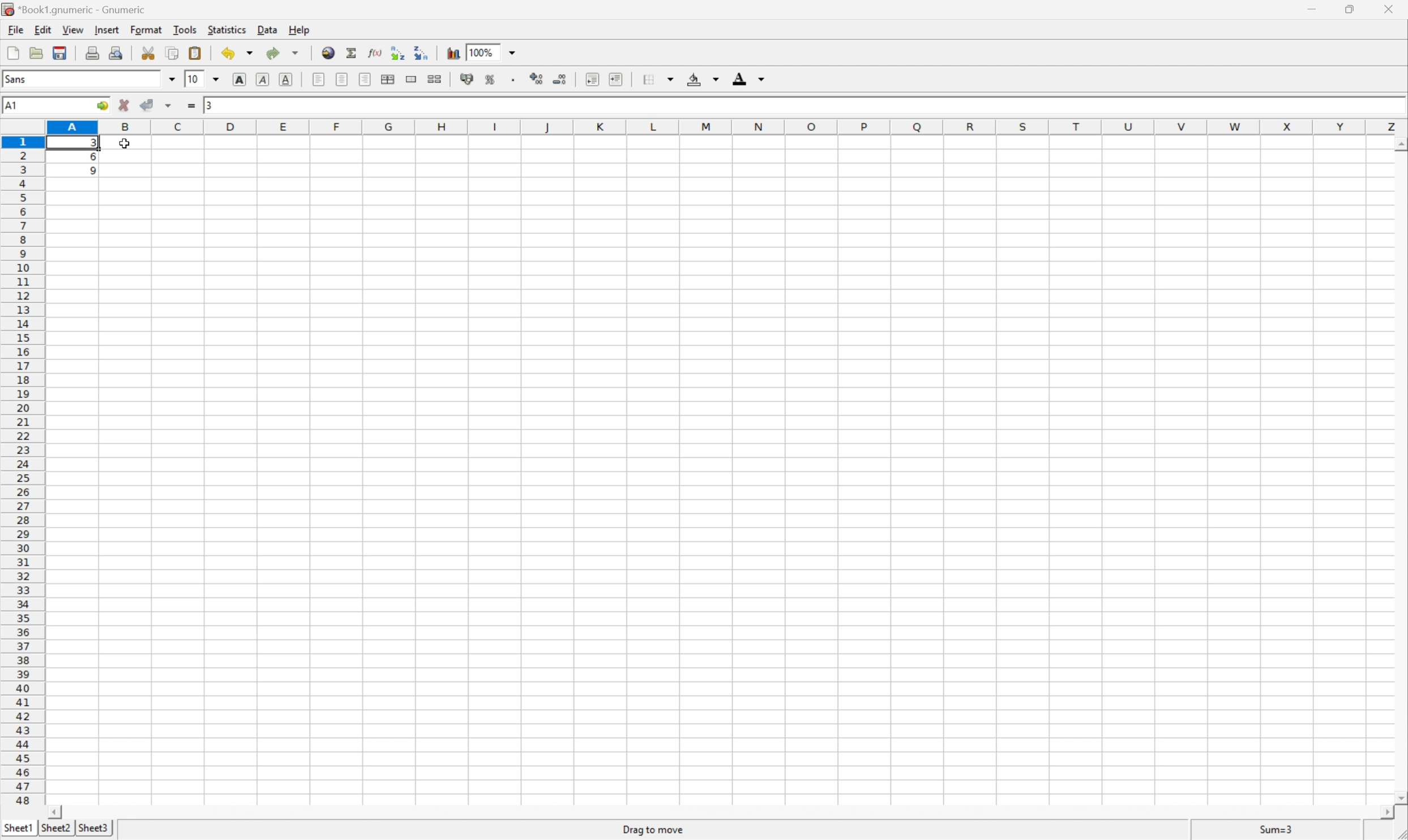 The width and height of the screenshot is (1408, 840). Describe the element at coordinates (106, 29) in the screenshot. I see `Insert` at that location.